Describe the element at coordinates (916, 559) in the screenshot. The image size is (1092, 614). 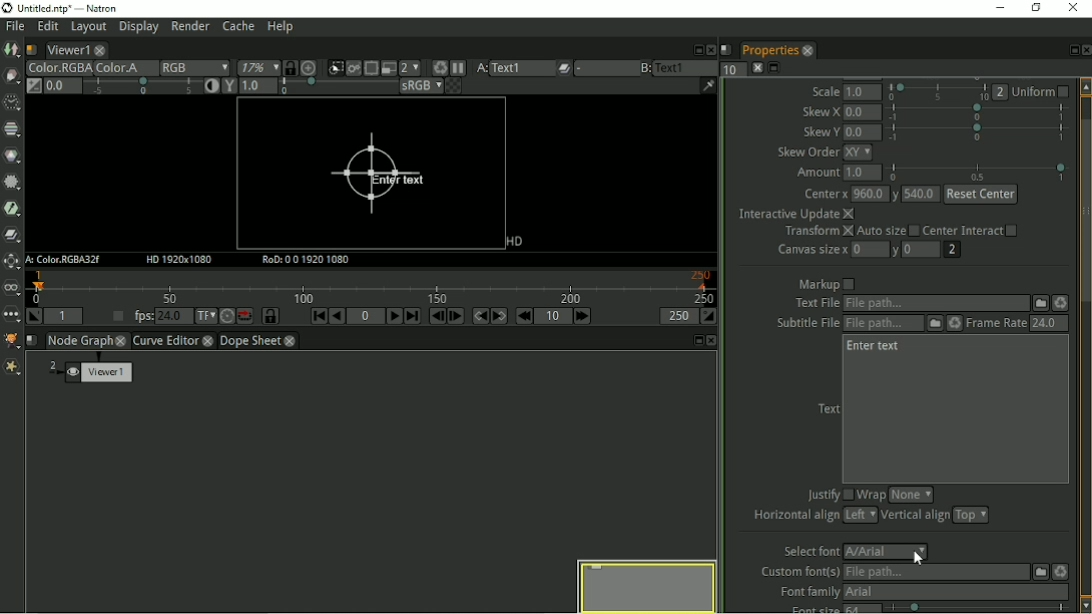
I see `cursor` at that location.